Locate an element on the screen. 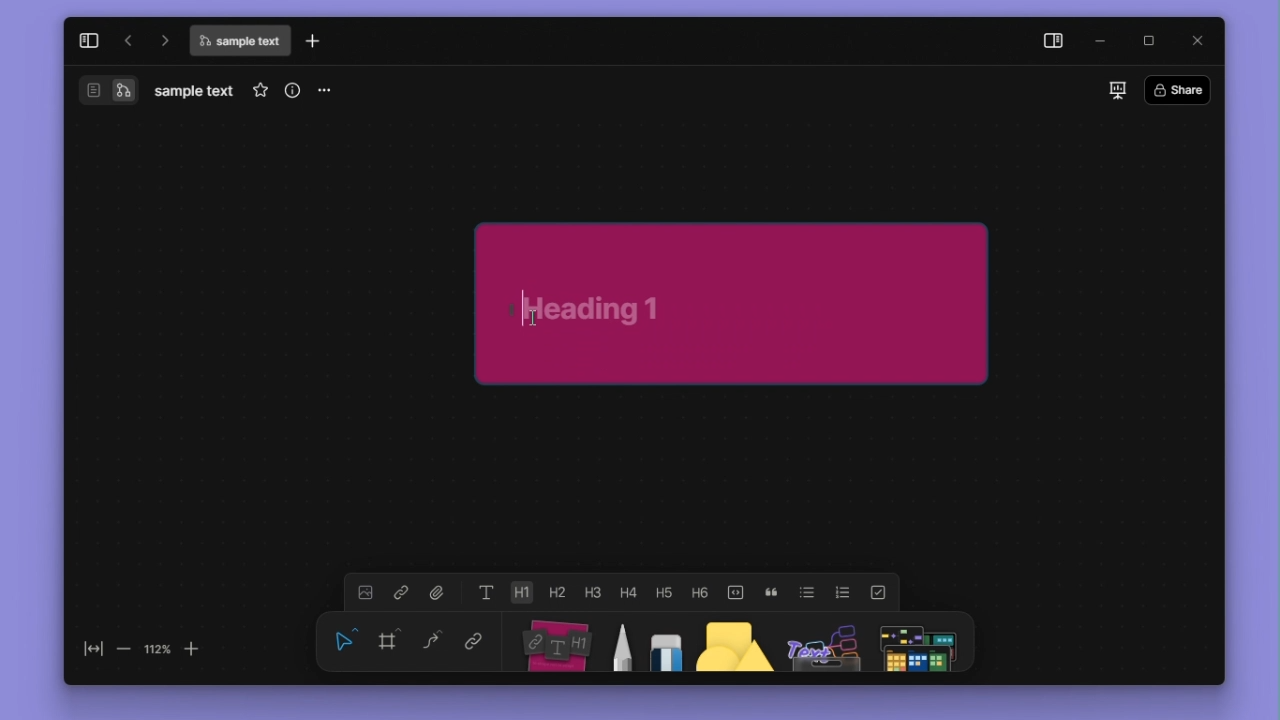 Image resolution: width=1280 pixels, height=720 pixels. pen is located at coordinates (625, 642).